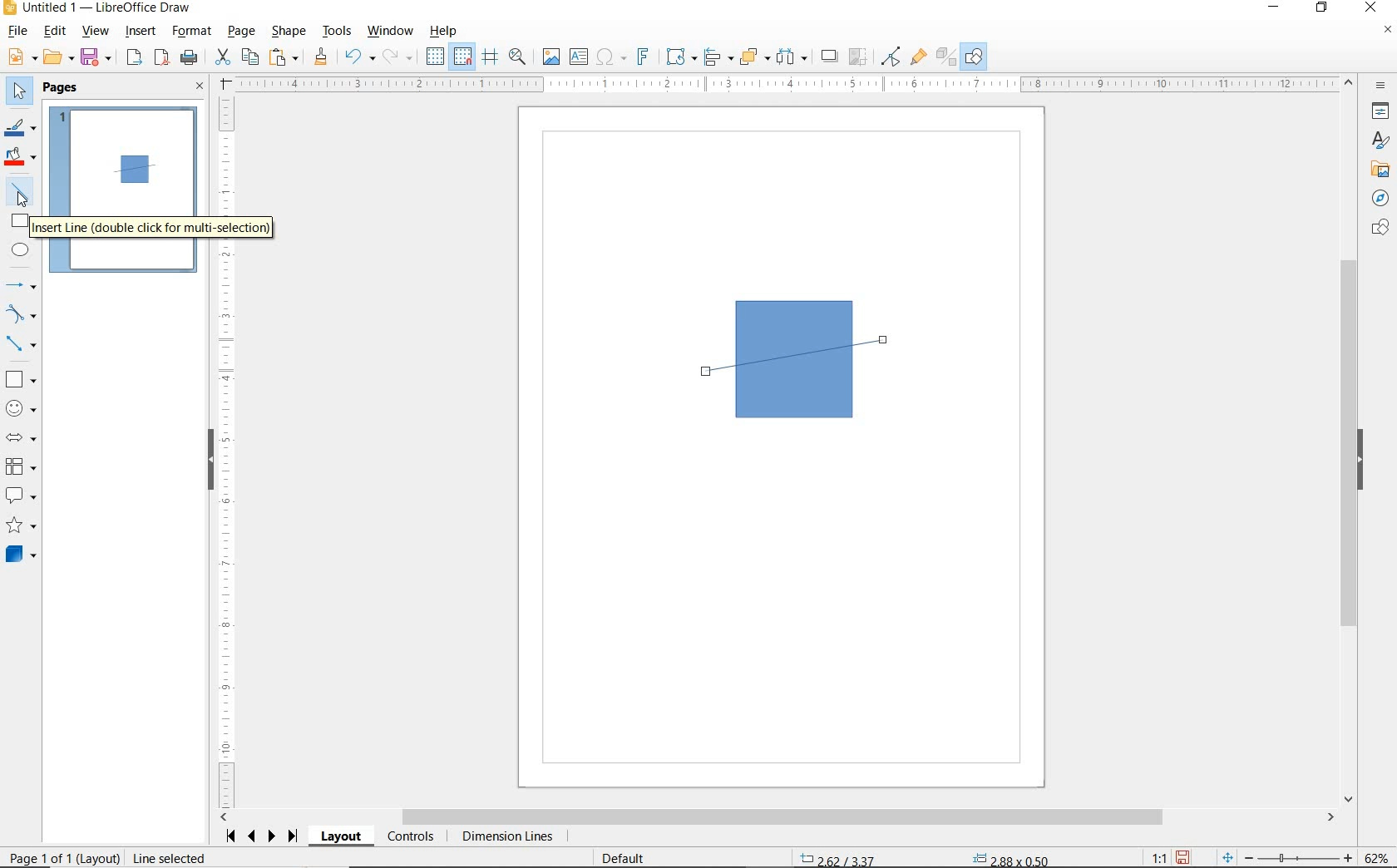  What do you see at coordinates (1380, 196) in the screenshot?
I see `NAVIGATOR` at bounding box center [1380, 196].